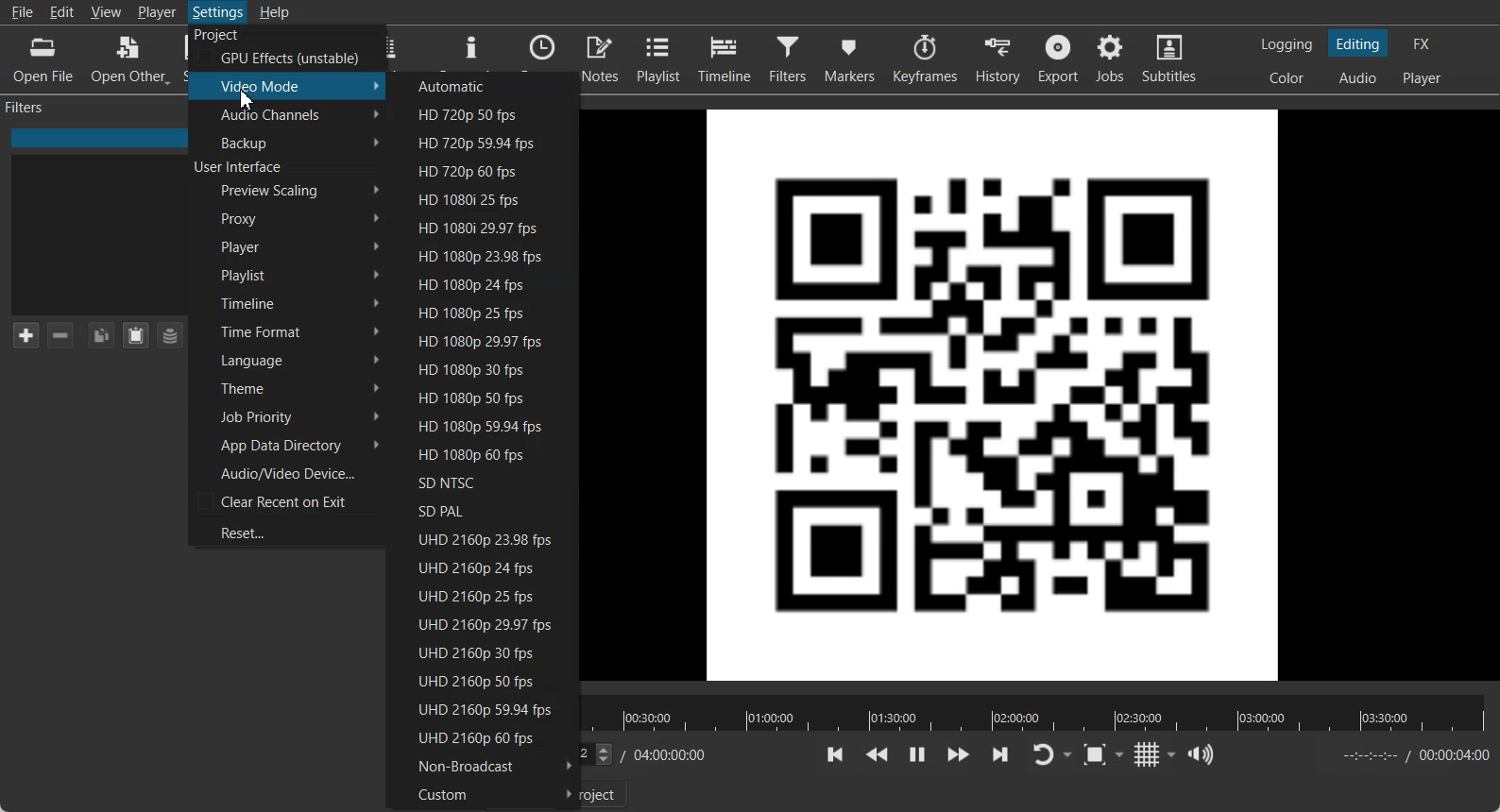 This screenshot has width=1500, height=812. Describe the element at coordinates (130, 58) in the screenshot. I see `Open Other` at that location.